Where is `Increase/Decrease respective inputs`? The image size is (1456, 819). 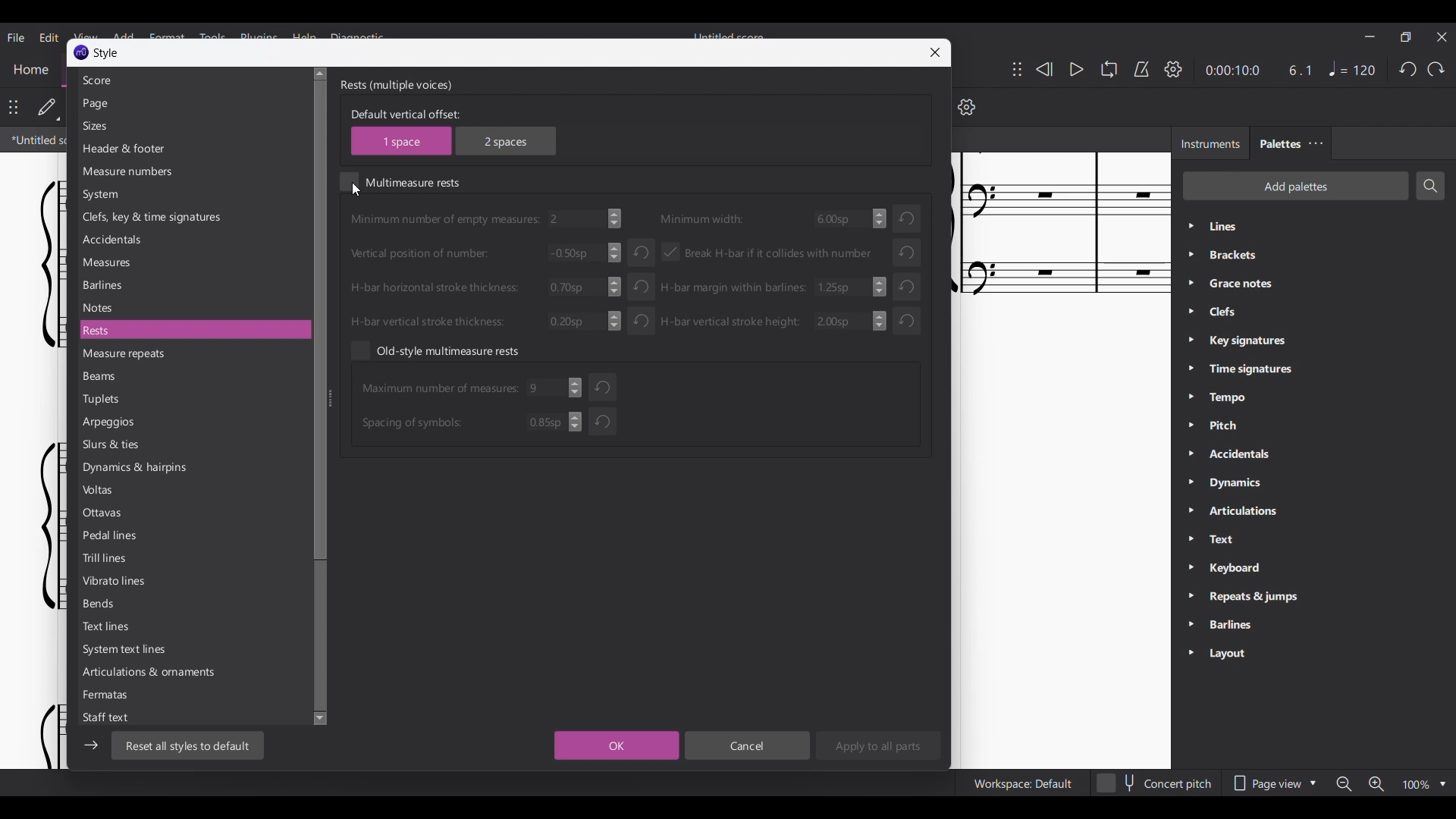
Increase/Decrease respective inputs is located at coordinates (574, 405).